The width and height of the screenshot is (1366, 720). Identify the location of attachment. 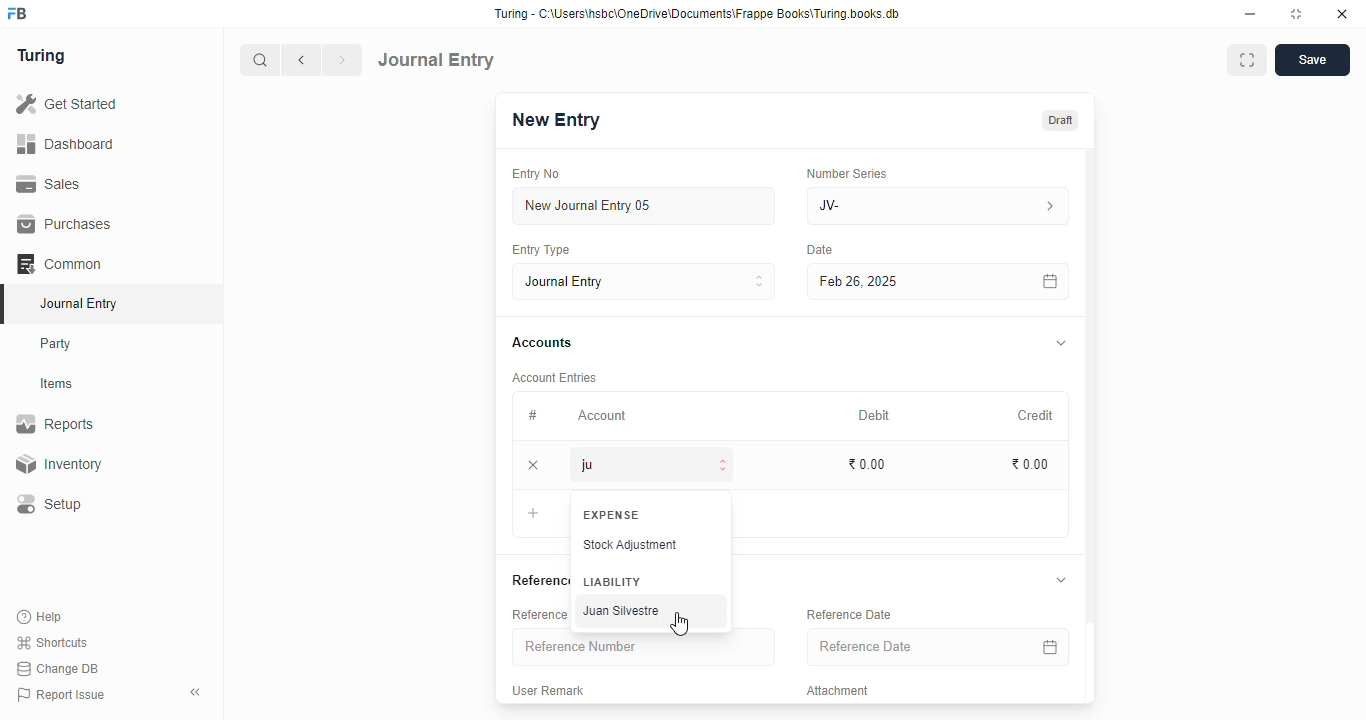
(838, 691).